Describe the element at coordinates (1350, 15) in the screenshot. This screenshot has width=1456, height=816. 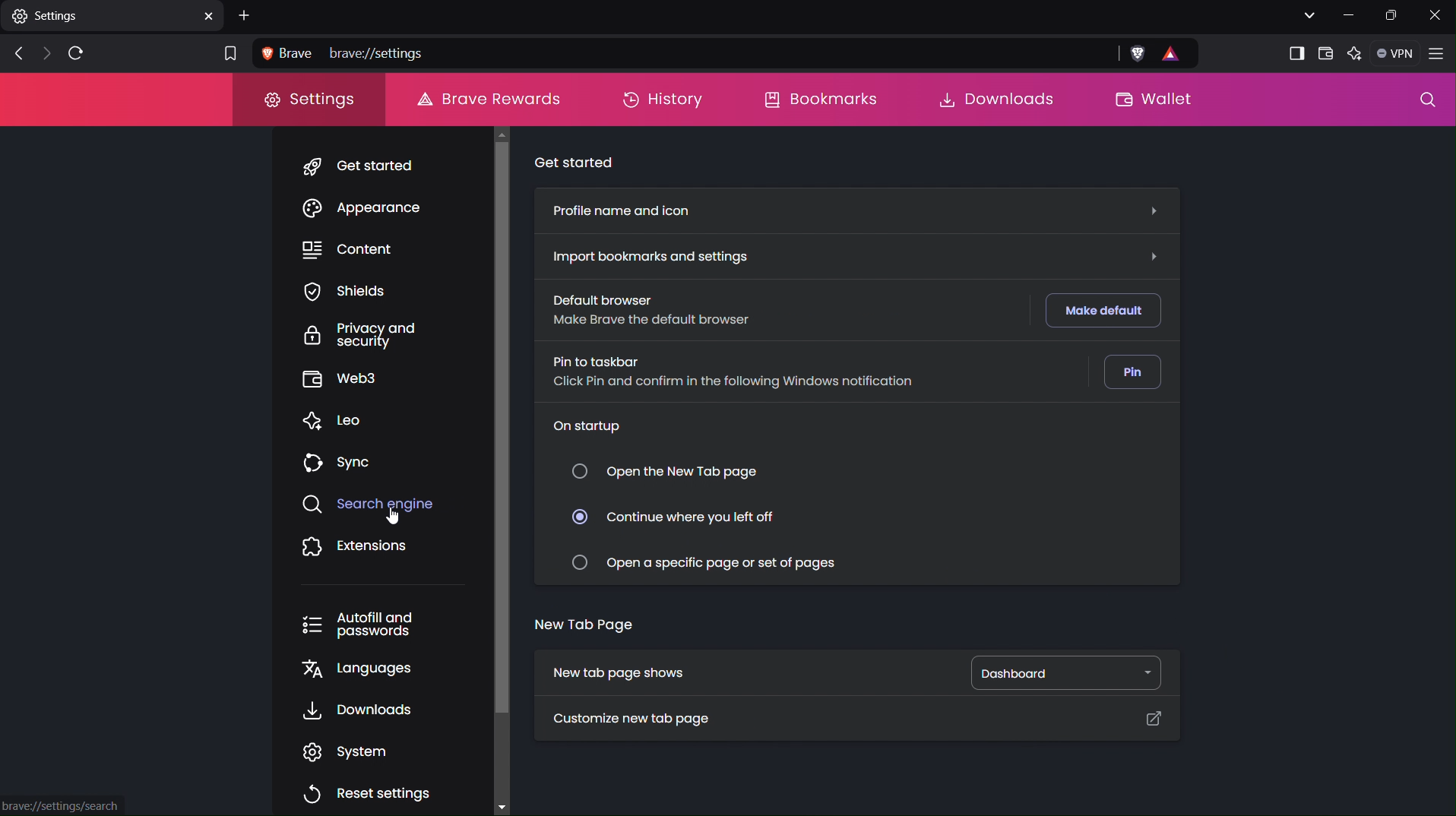
I see `Minimize` at that location.